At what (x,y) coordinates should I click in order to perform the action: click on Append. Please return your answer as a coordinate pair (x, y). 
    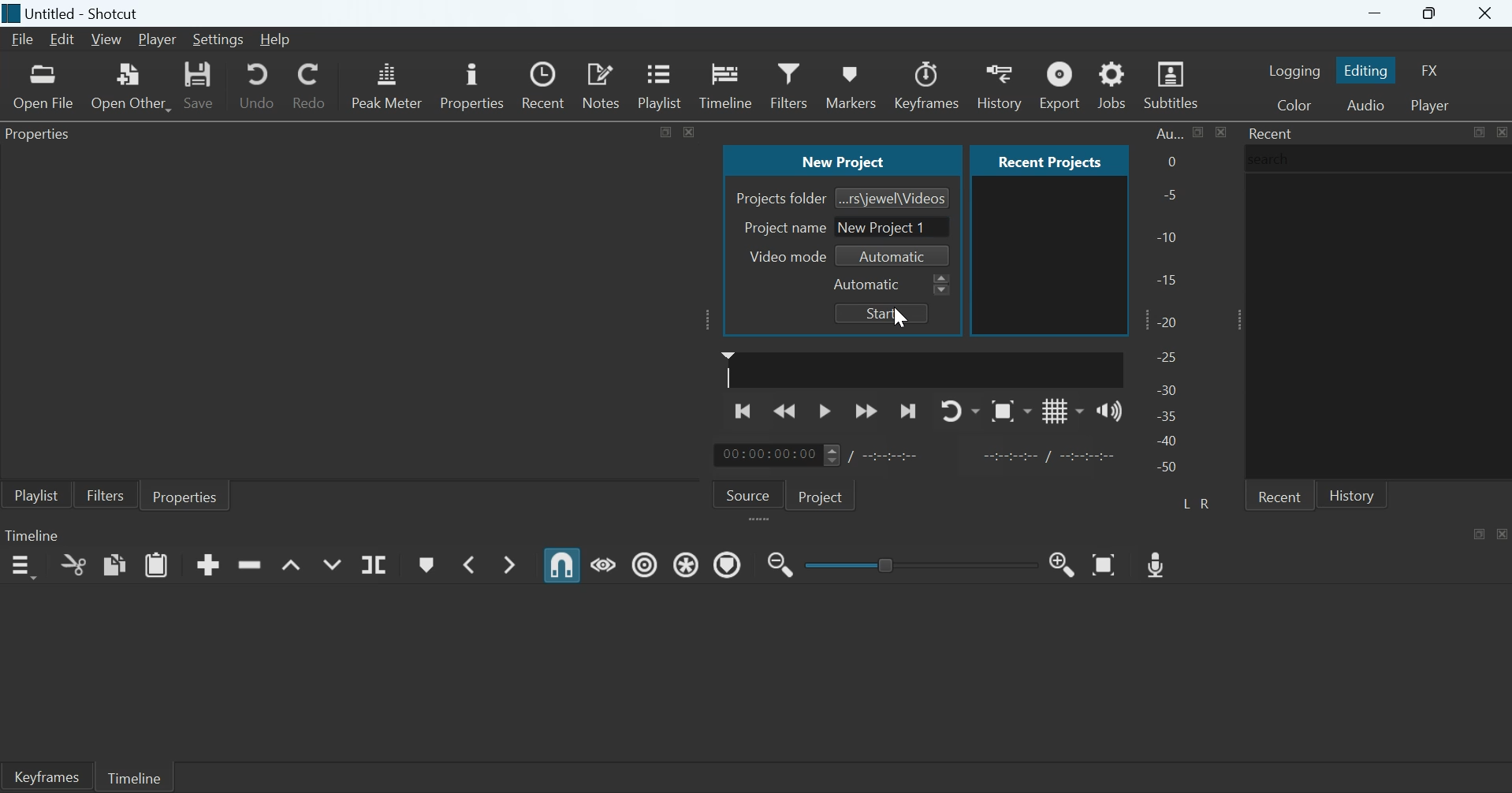
    Looking at the image, I should click on (208, 564).